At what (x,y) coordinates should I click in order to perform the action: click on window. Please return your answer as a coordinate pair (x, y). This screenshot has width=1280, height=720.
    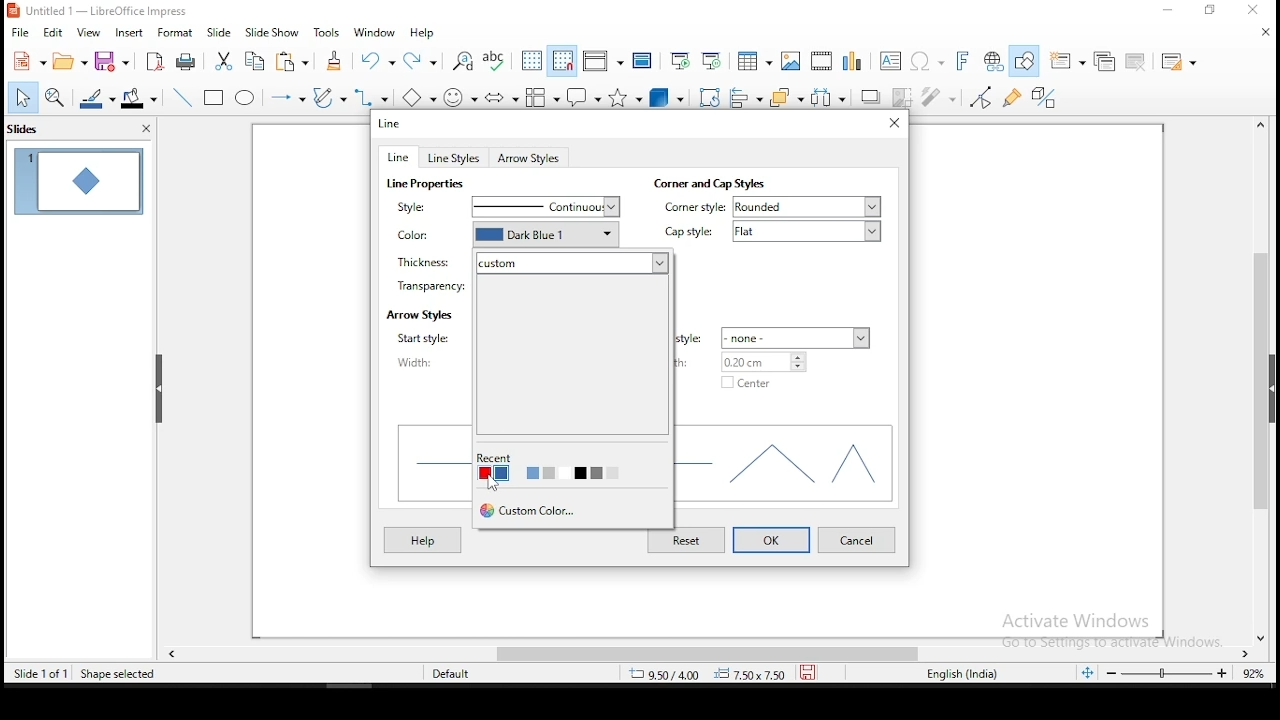
    Looking at the image, I should click on (375, 31).